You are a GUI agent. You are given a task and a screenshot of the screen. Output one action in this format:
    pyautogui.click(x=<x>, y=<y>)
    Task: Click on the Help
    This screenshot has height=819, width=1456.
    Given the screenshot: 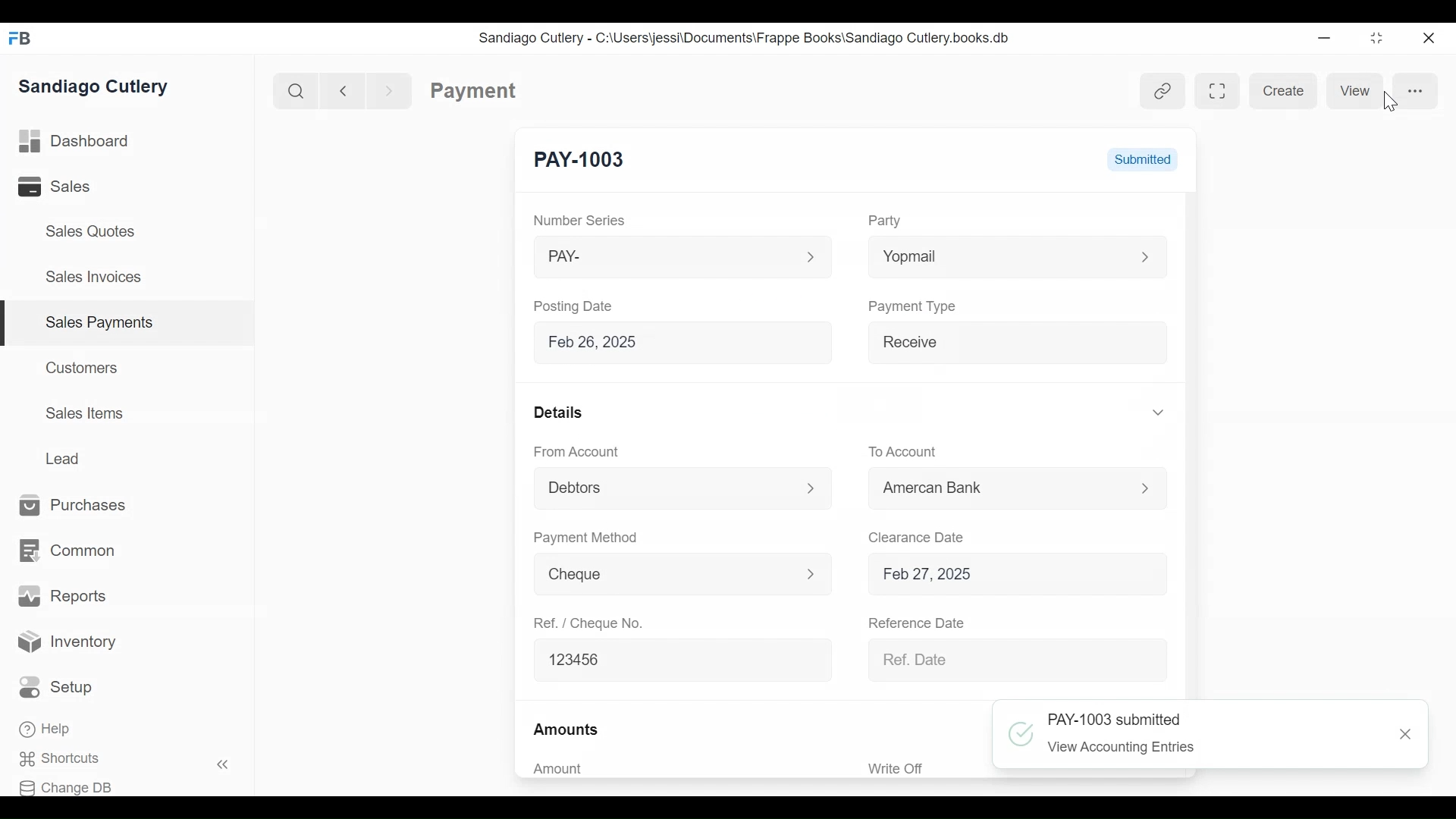 What is the action you would take?
    pyautogui.click(x=47, y=730)
    